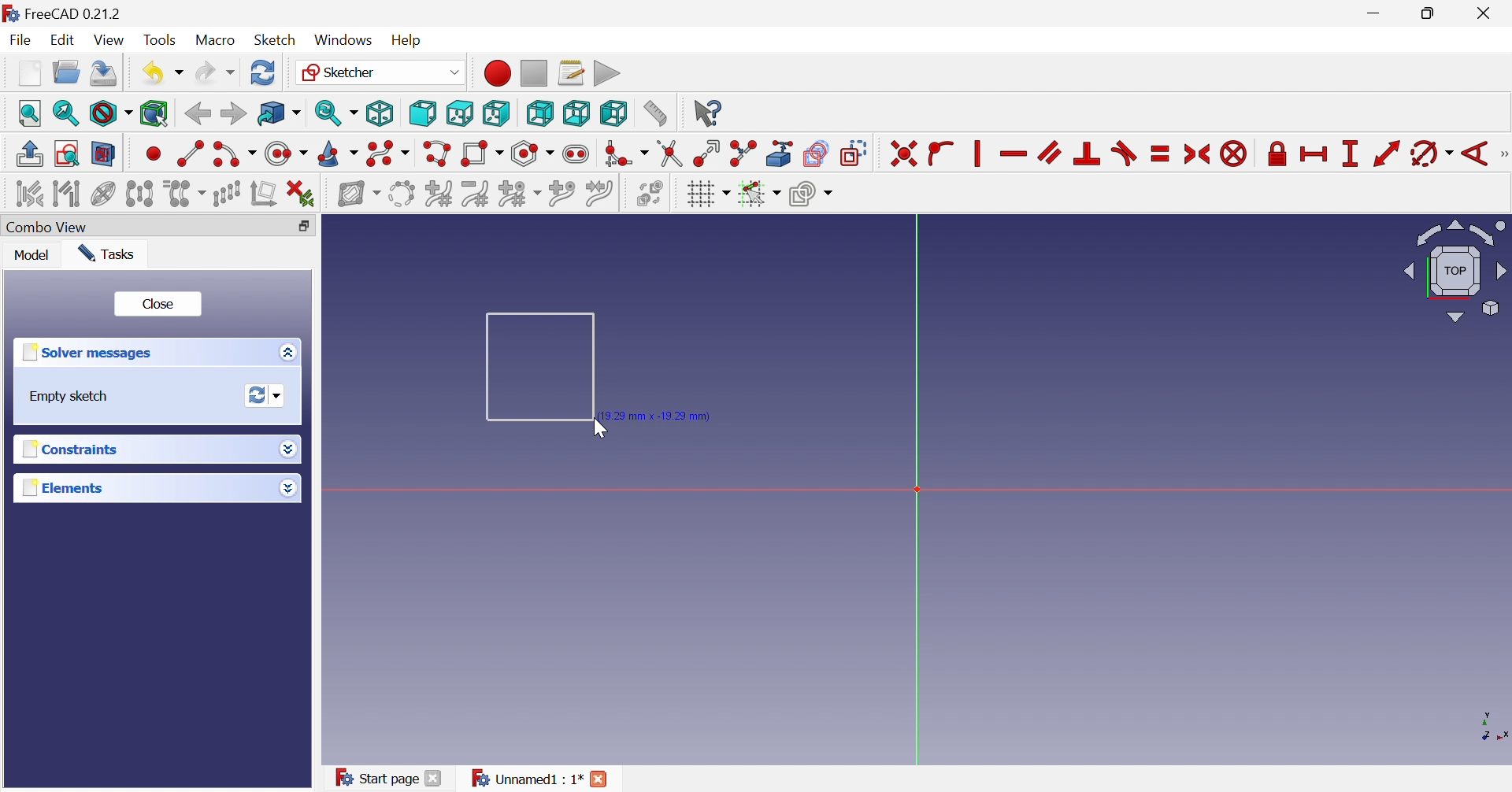 Image resolution: width=1512 pixels, height=792 pixels. What do you see at coordinates (940, 151) in the screenshot?
I see `Constrain point onto object` at bounding box center [940, 151].